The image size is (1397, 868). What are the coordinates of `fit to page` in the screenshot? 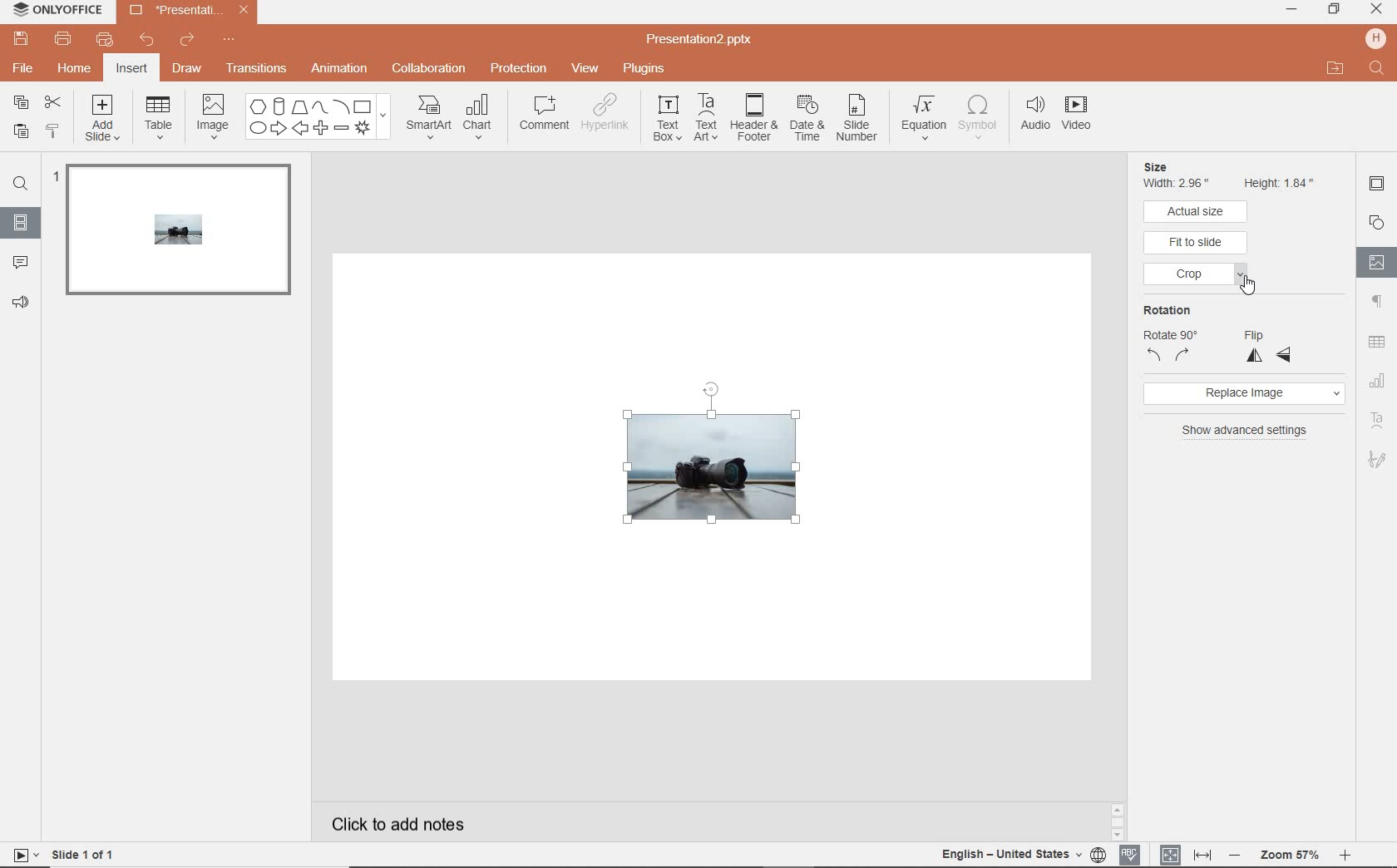 It's located at (1171, 854).